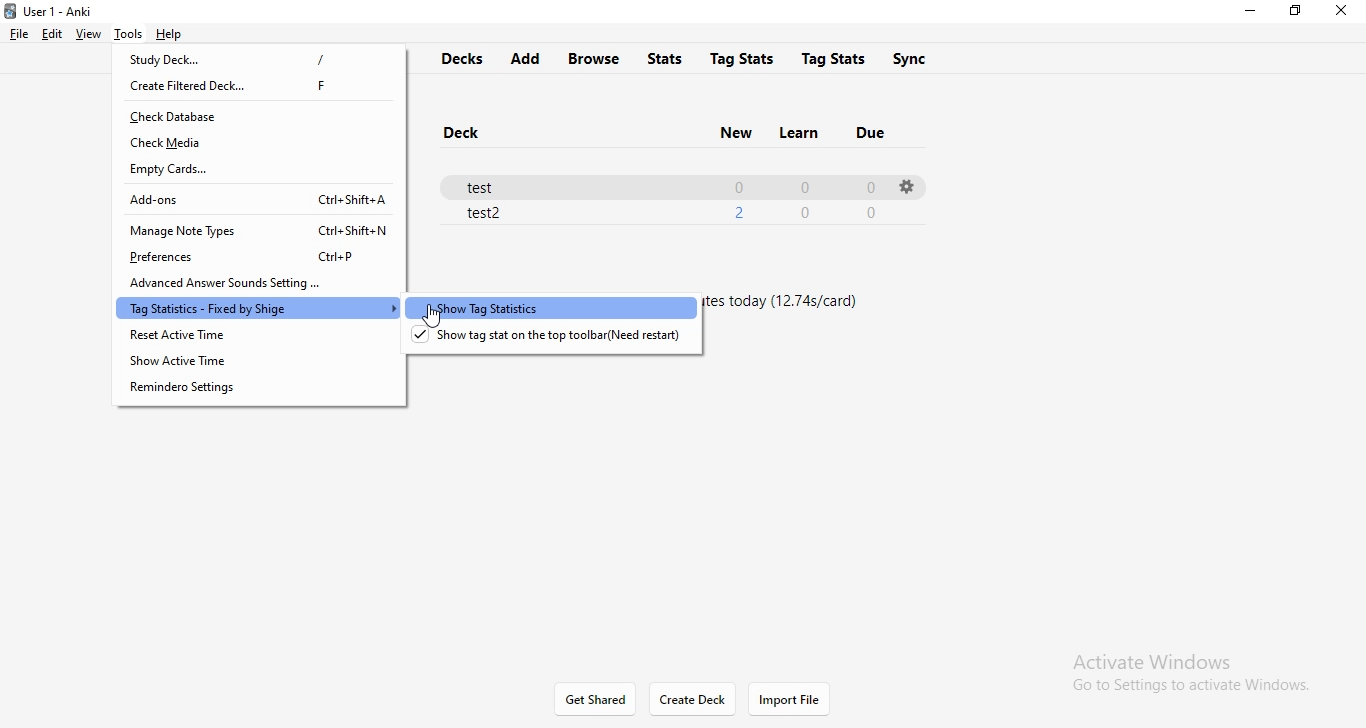  Describe the element at coordinates (791, 304) in the screenshot. I see `text1` at that location.